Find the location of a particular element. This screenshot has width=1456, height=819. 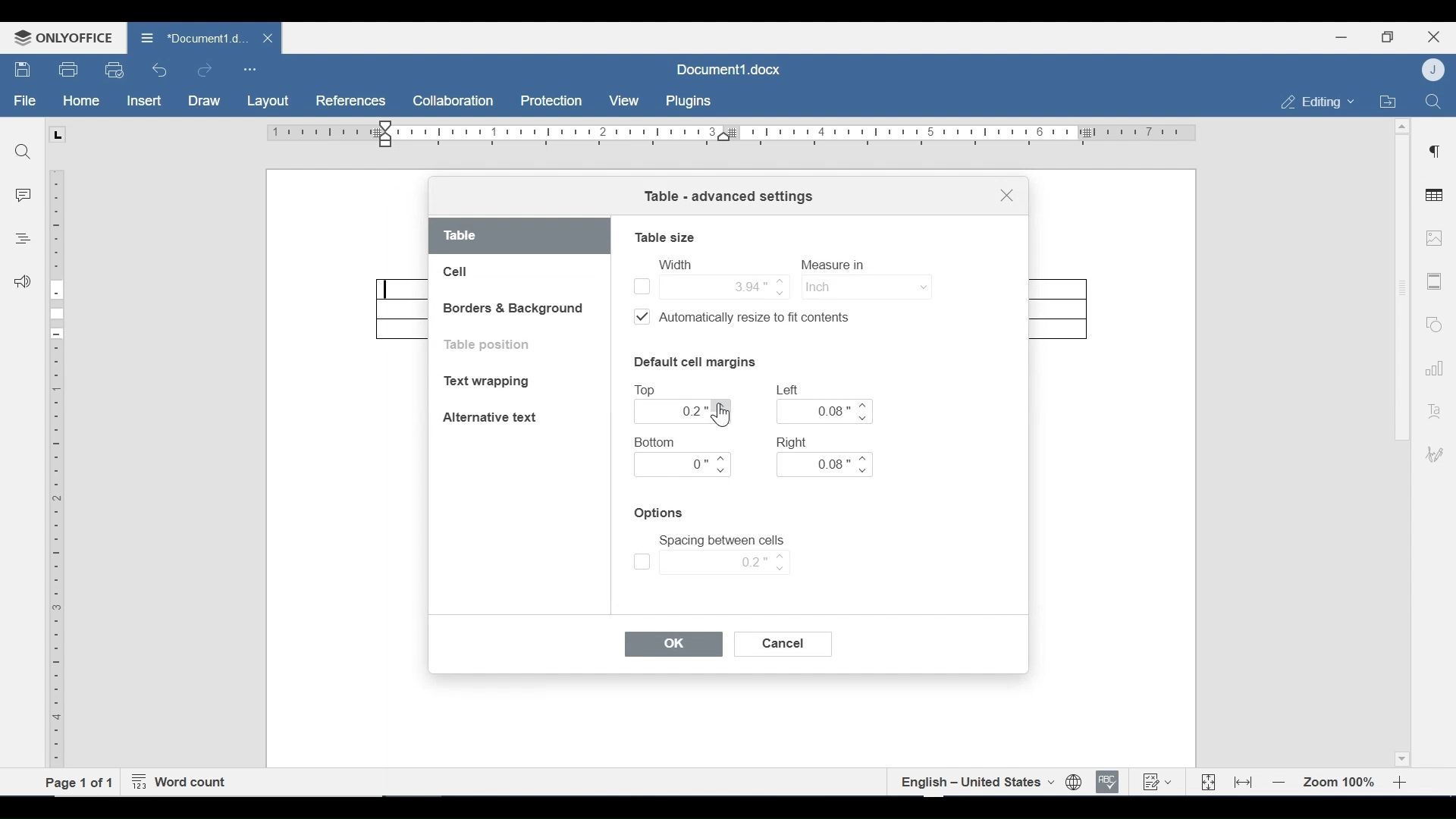

Spell checking is located at coordinates (1108, 782).